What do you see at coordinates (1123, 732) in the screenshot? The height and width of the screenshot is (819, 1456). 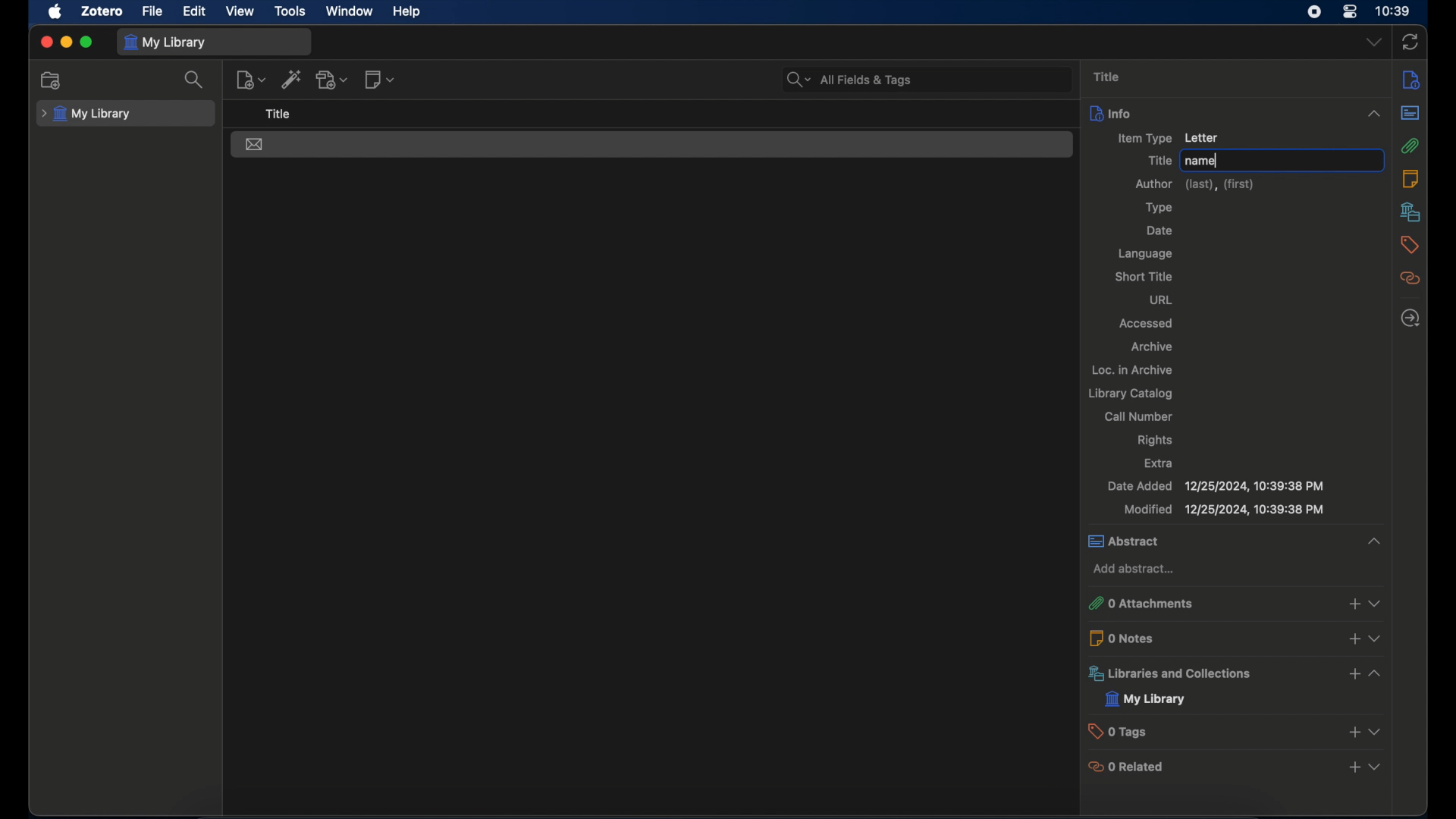 I see `0 tags` at bounding box center [1123, 732].